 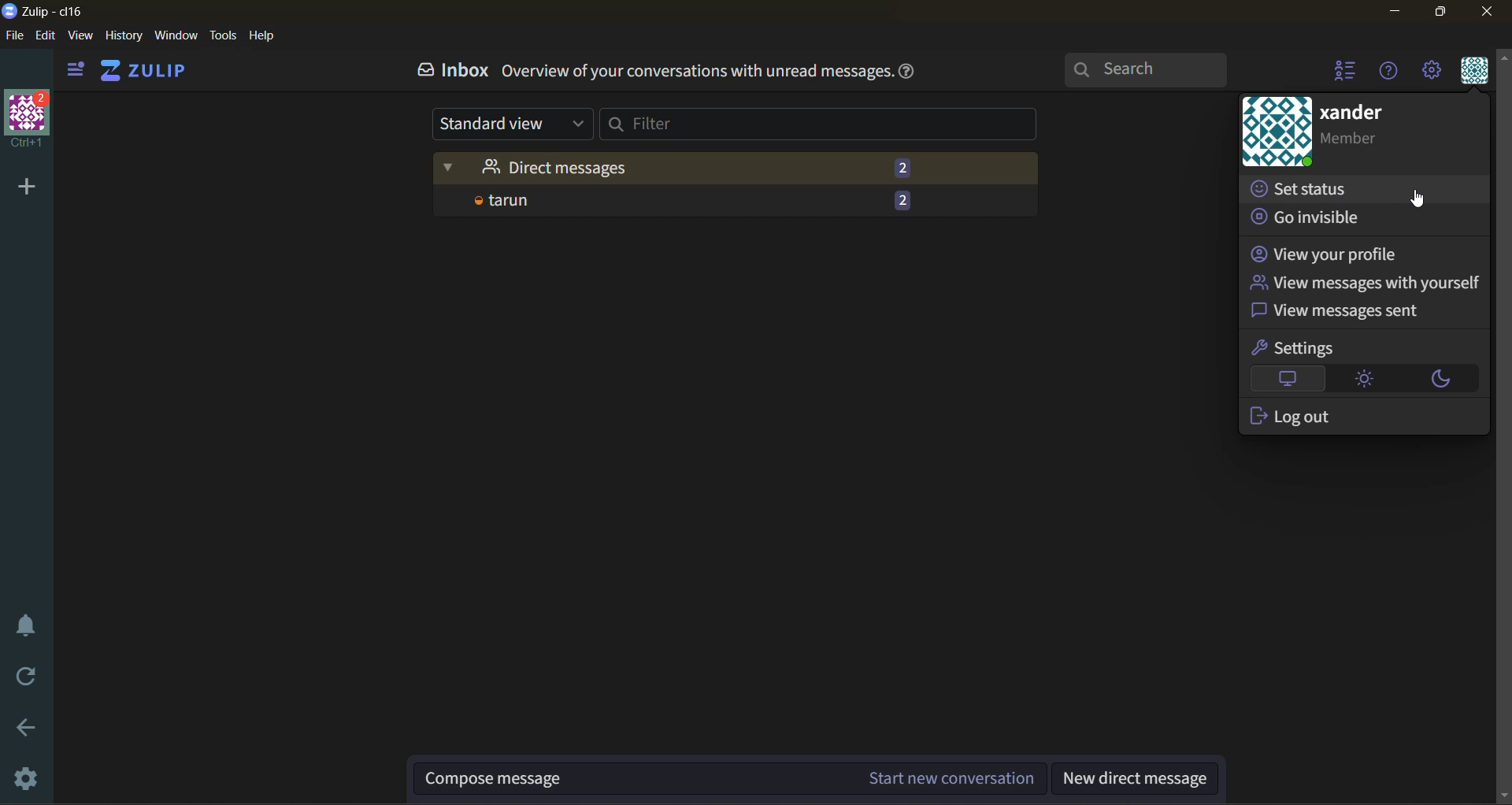 What do you see at coordinates (1435, 72) in the screenshot?
I see `settings menu` at bounding box center [1435, 72].